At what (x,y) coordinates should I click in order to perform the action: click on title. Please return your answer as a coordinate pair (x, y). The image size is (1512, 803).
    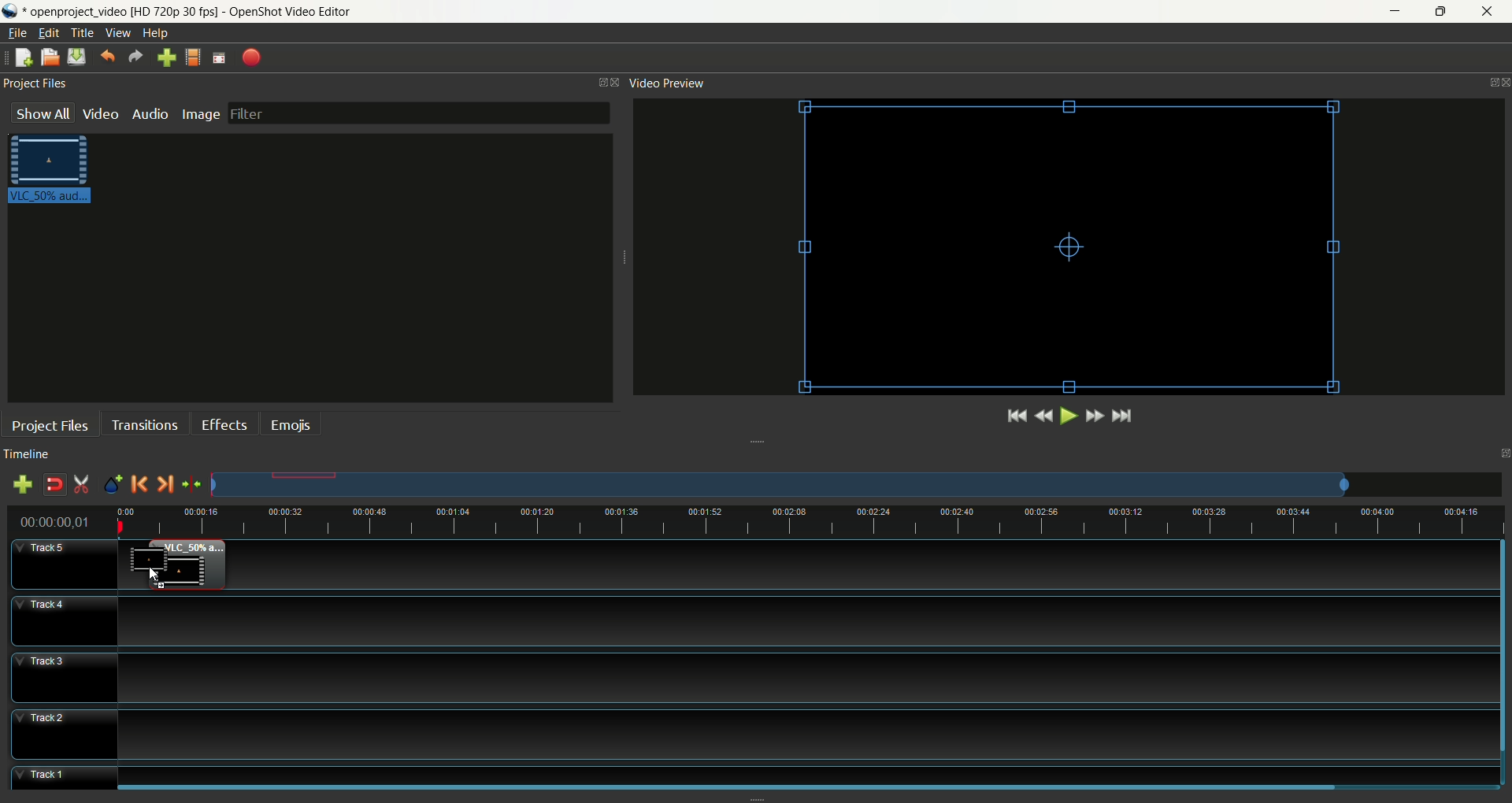
    Looking at the image, I should click on (81, 33).